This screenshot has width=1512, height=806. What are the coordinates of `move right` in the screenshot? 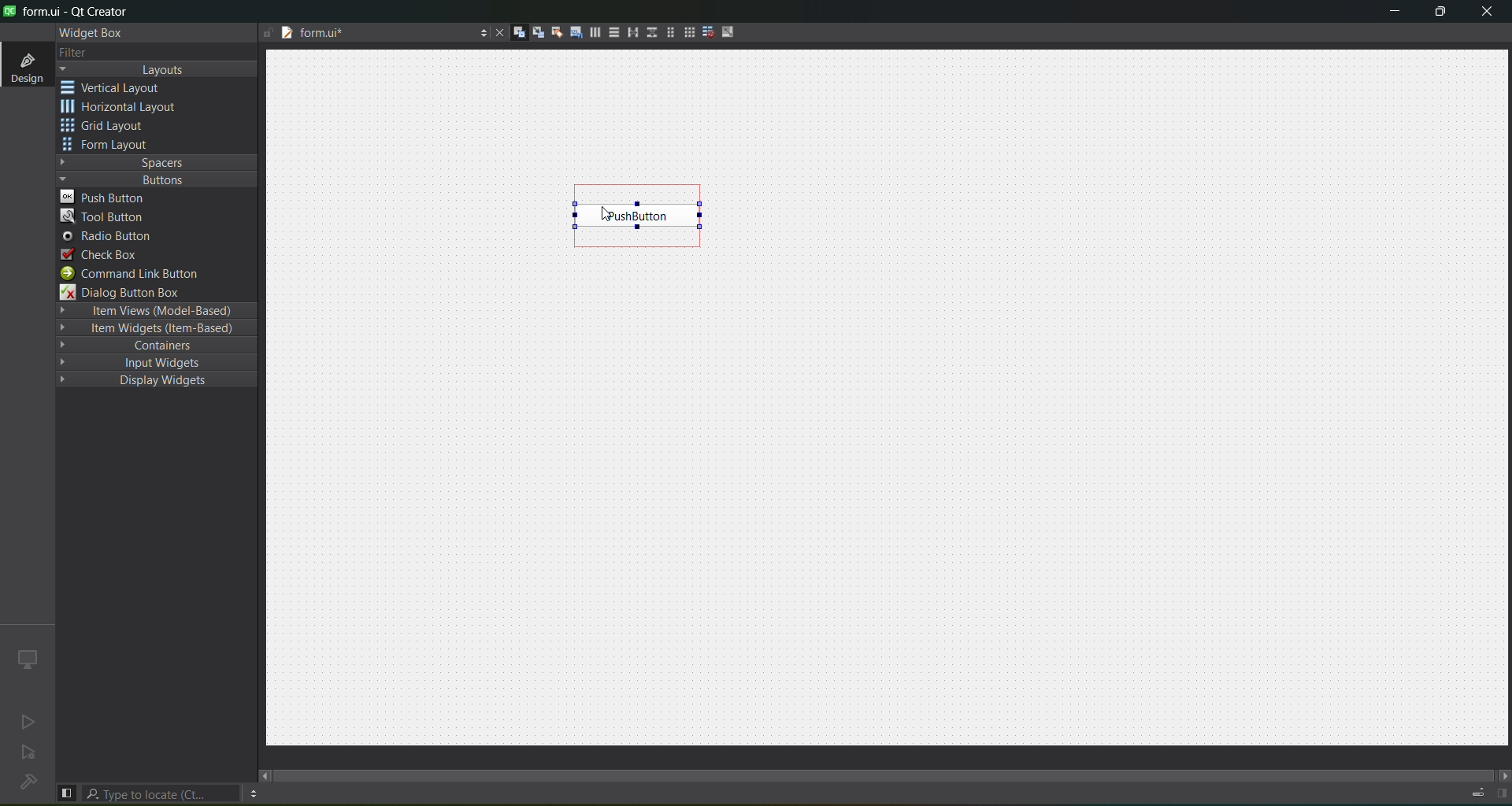 It's located at (1501, 774).